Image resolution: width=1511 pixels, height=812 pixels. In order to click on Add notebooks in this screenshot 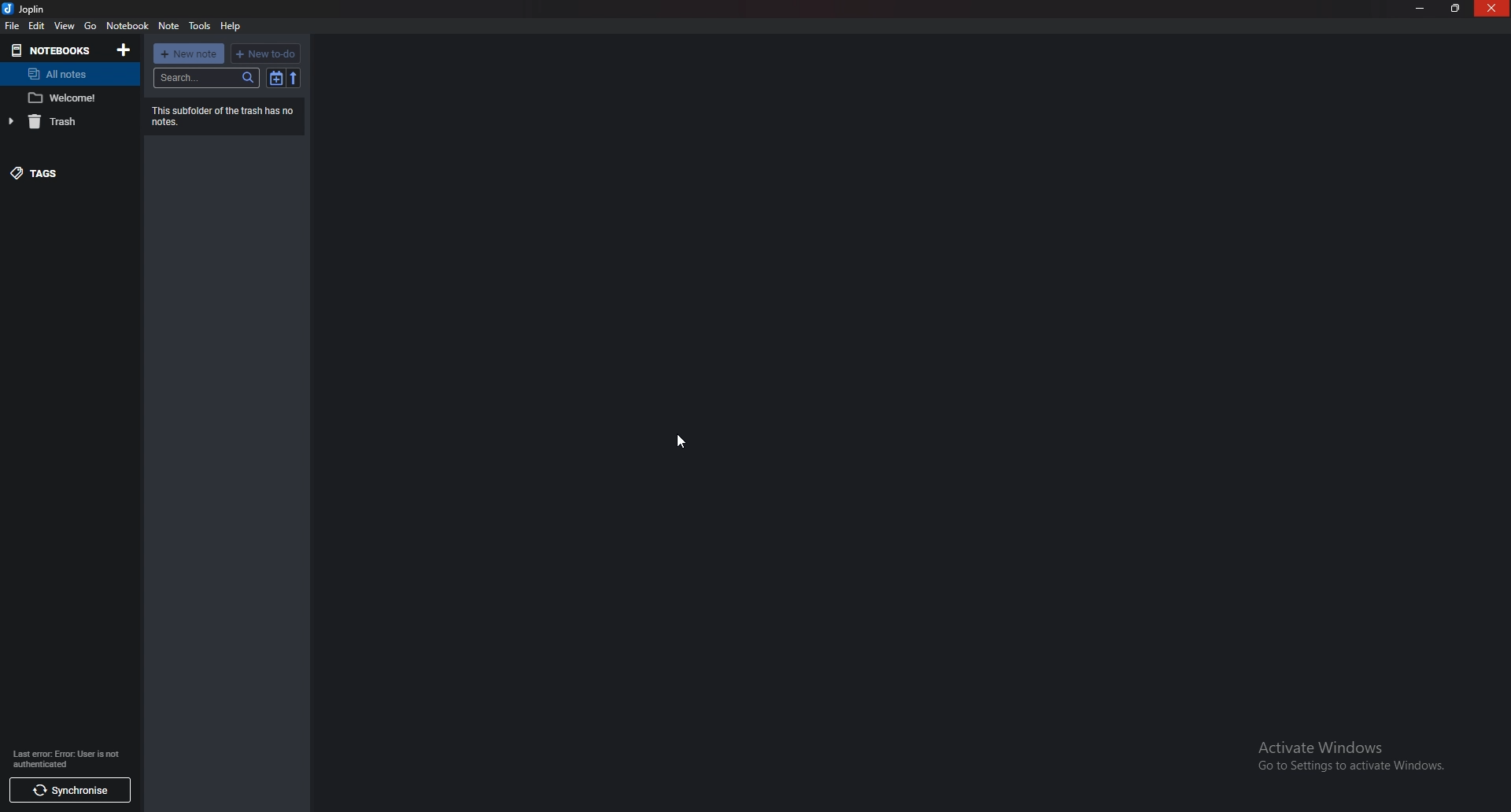, I will do `click(124, 50)`.